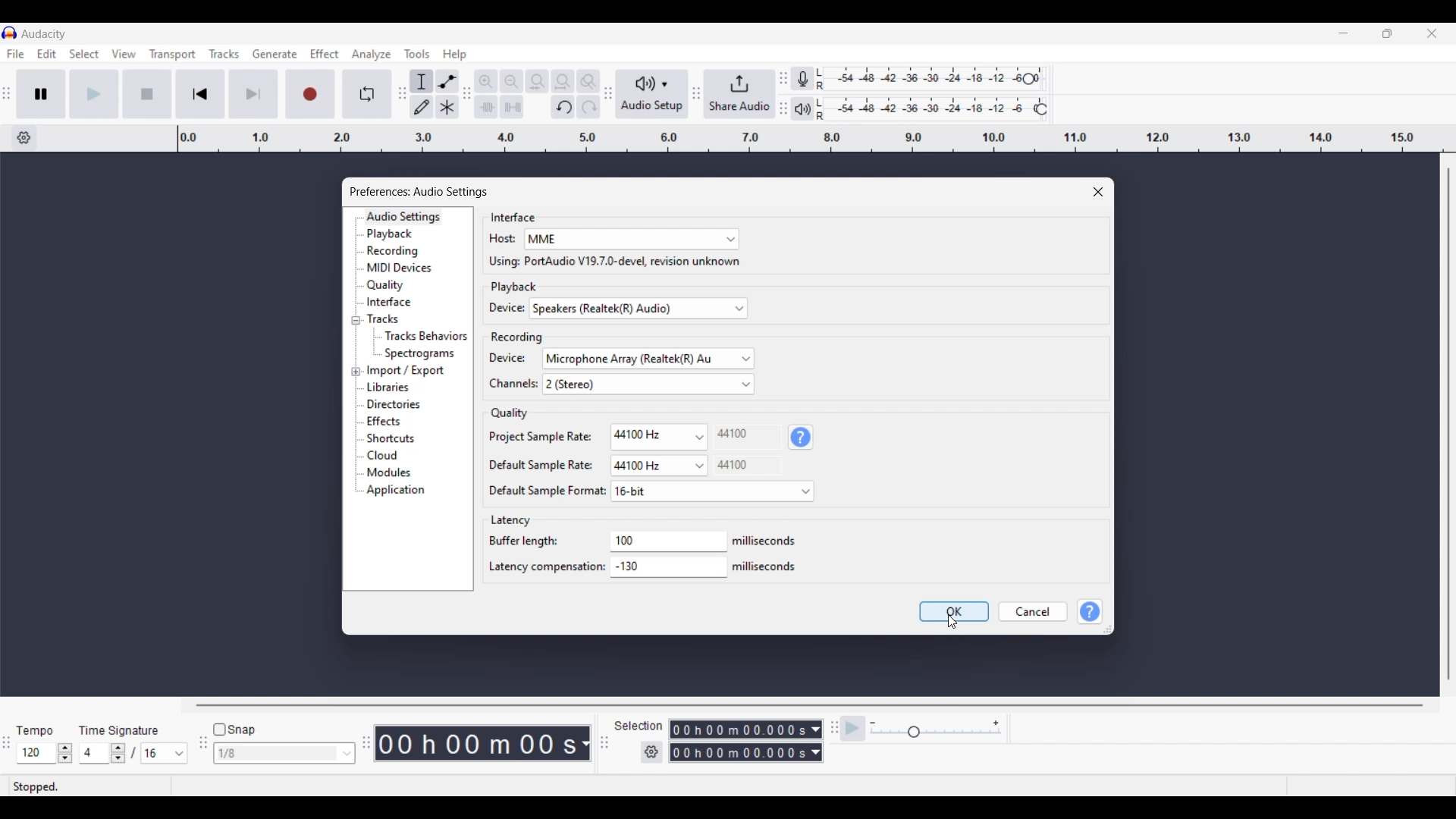 The image size is (1456, 819). Describe the element at coordinates (422, 81) in the screenshot. I see `Selection tool` at that location.